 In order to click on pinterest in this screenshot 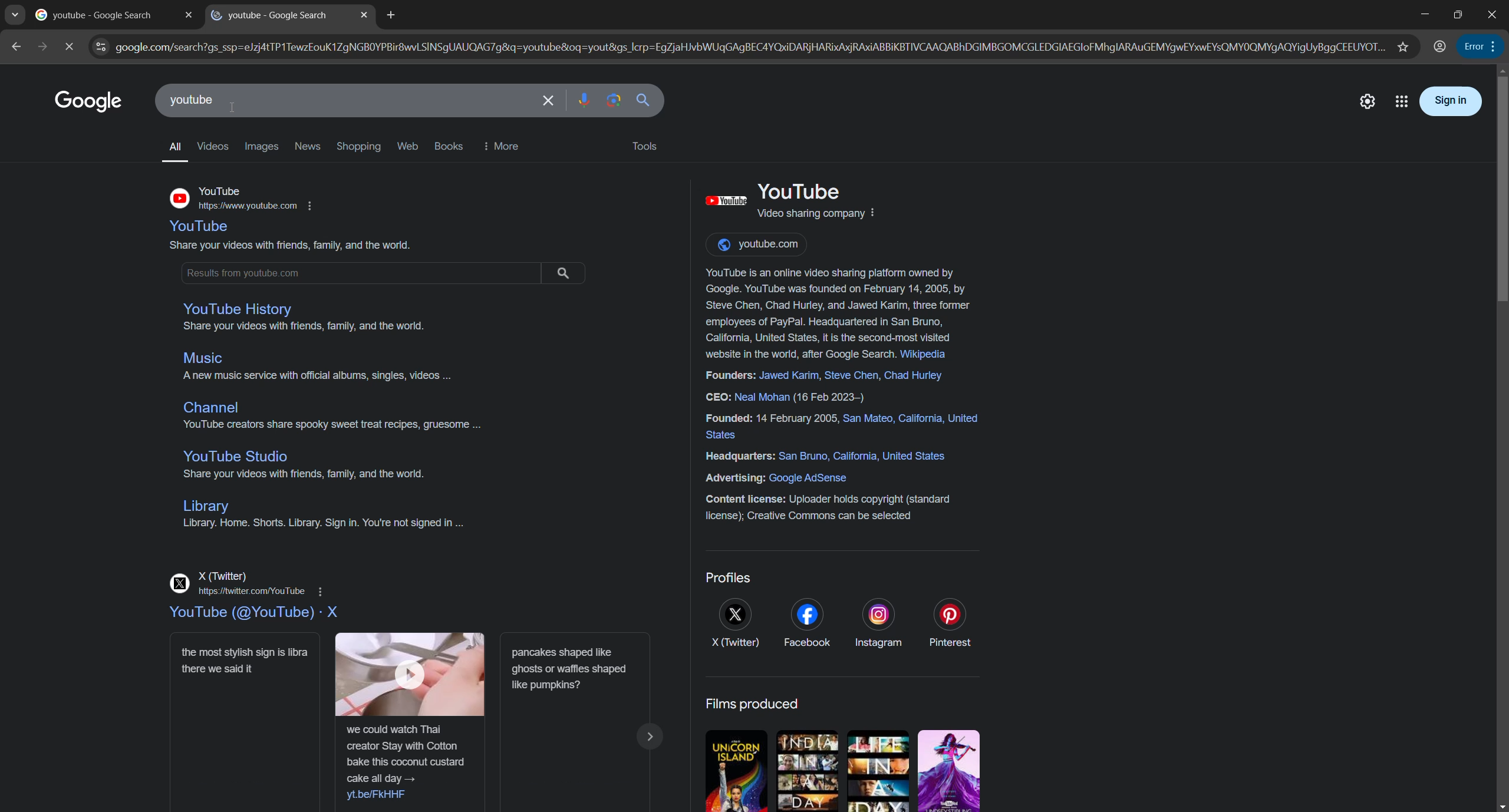, I will do `click(949, 623)`.